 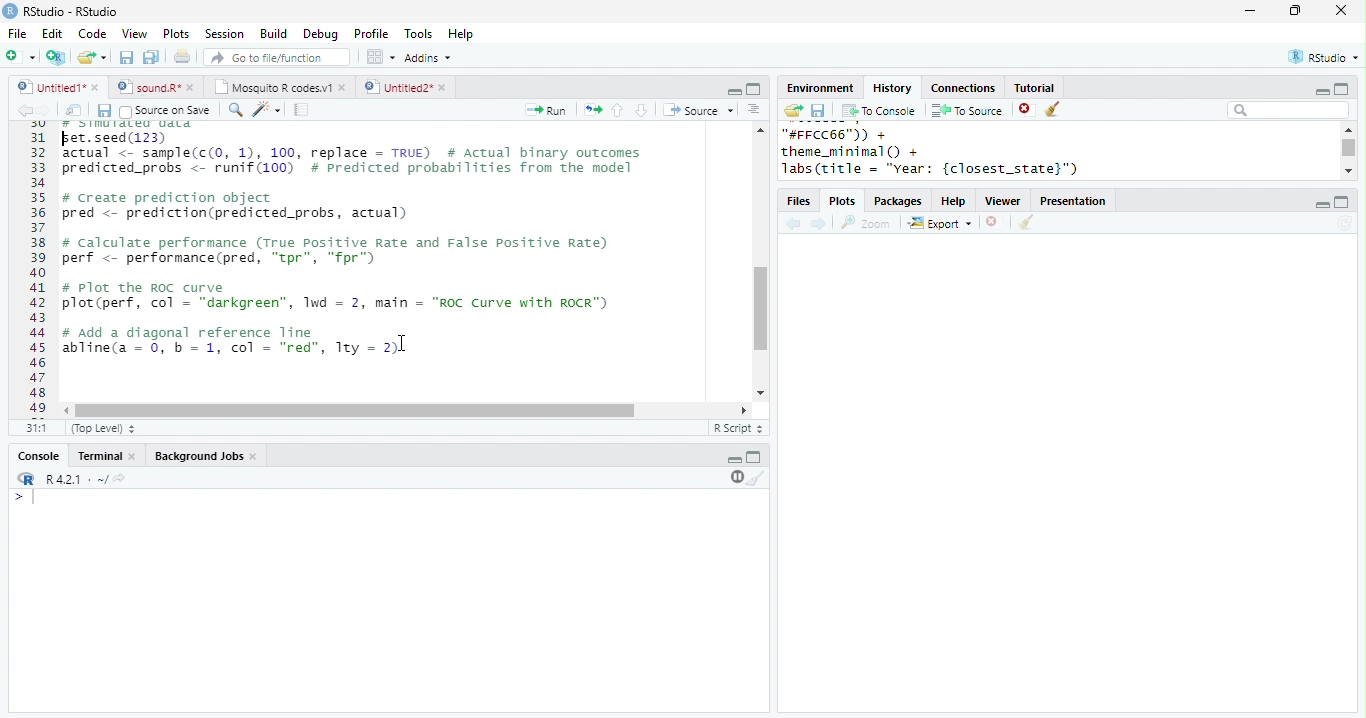 I want to click on >, so click(x=27, y=497).